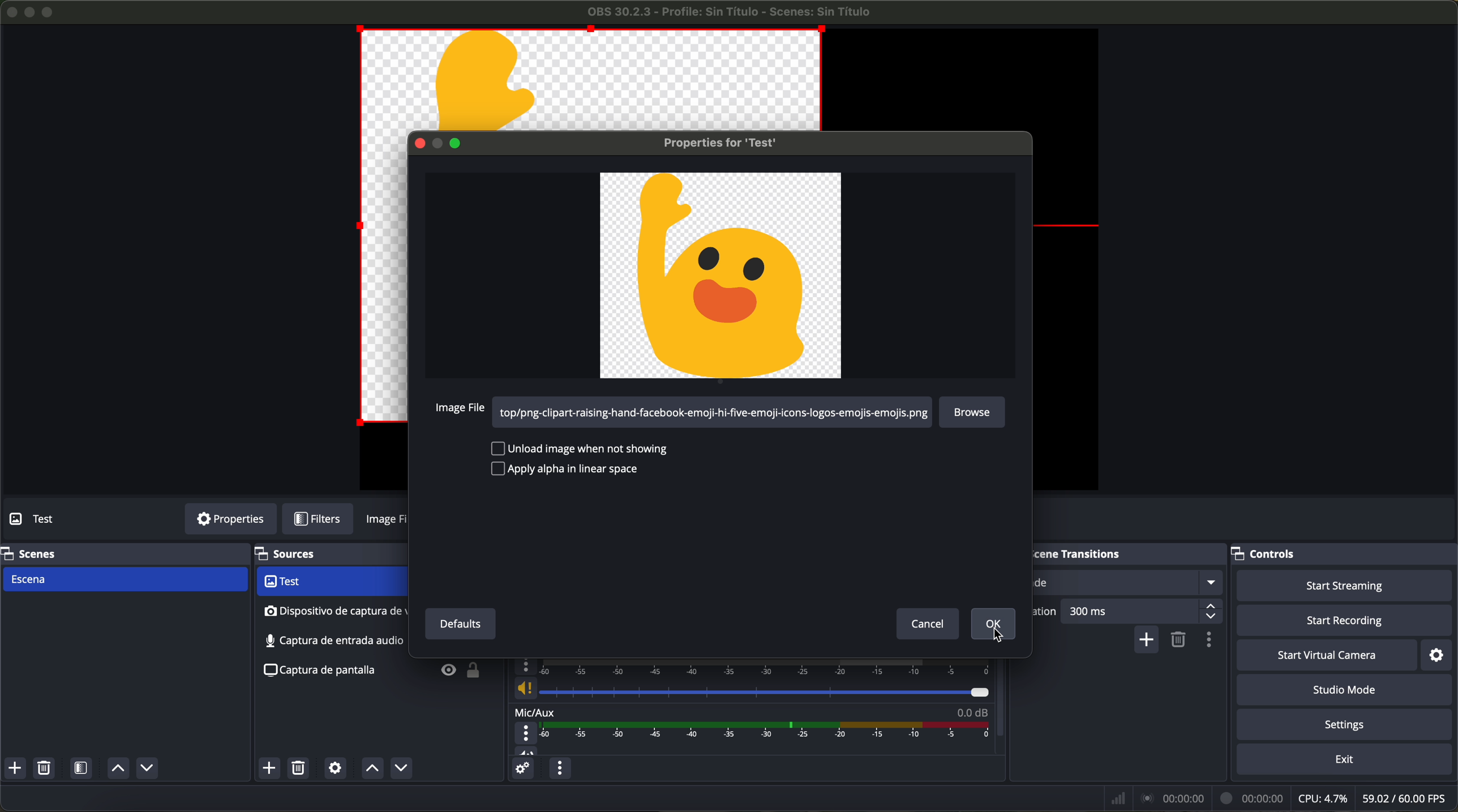 This screenshot has height=812, width=1458. What do you see at coordinates (118, 769) in the screenshot?
I see `move scene up` at bounding box center [118, 769].